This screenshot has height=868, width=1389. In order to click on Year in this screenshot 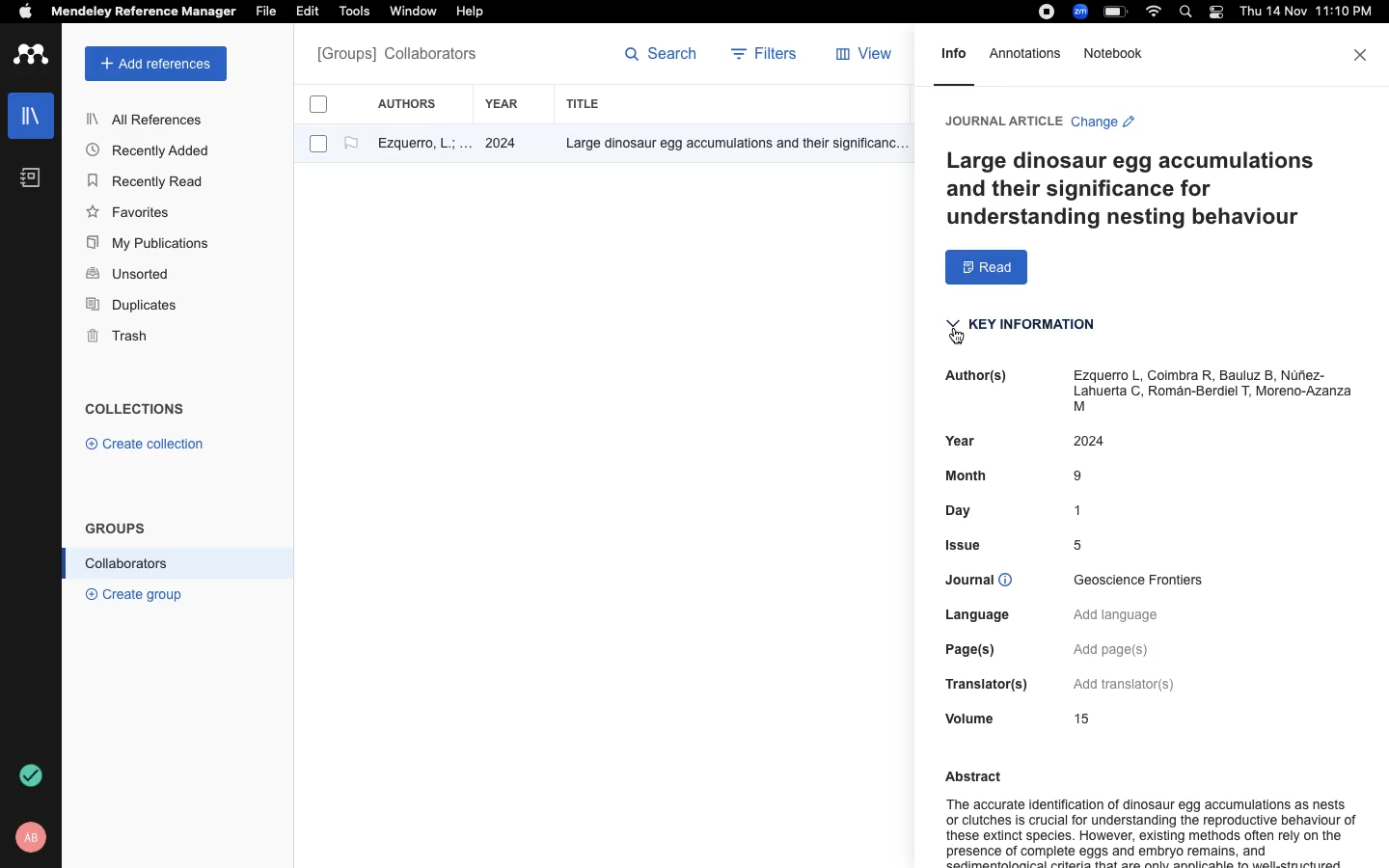, I will do `click(959, 444)`.